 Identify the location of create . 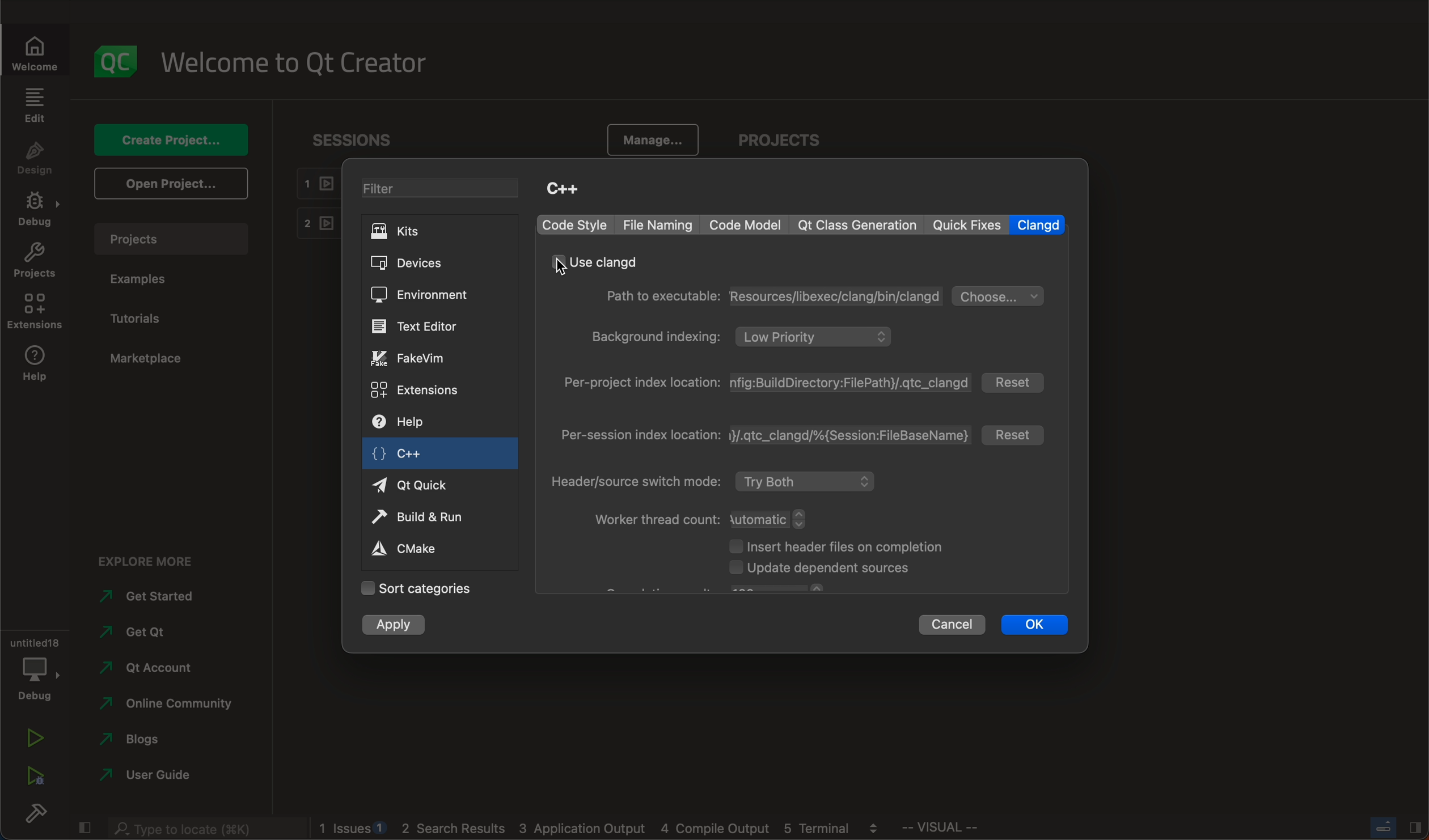
(173, 141).